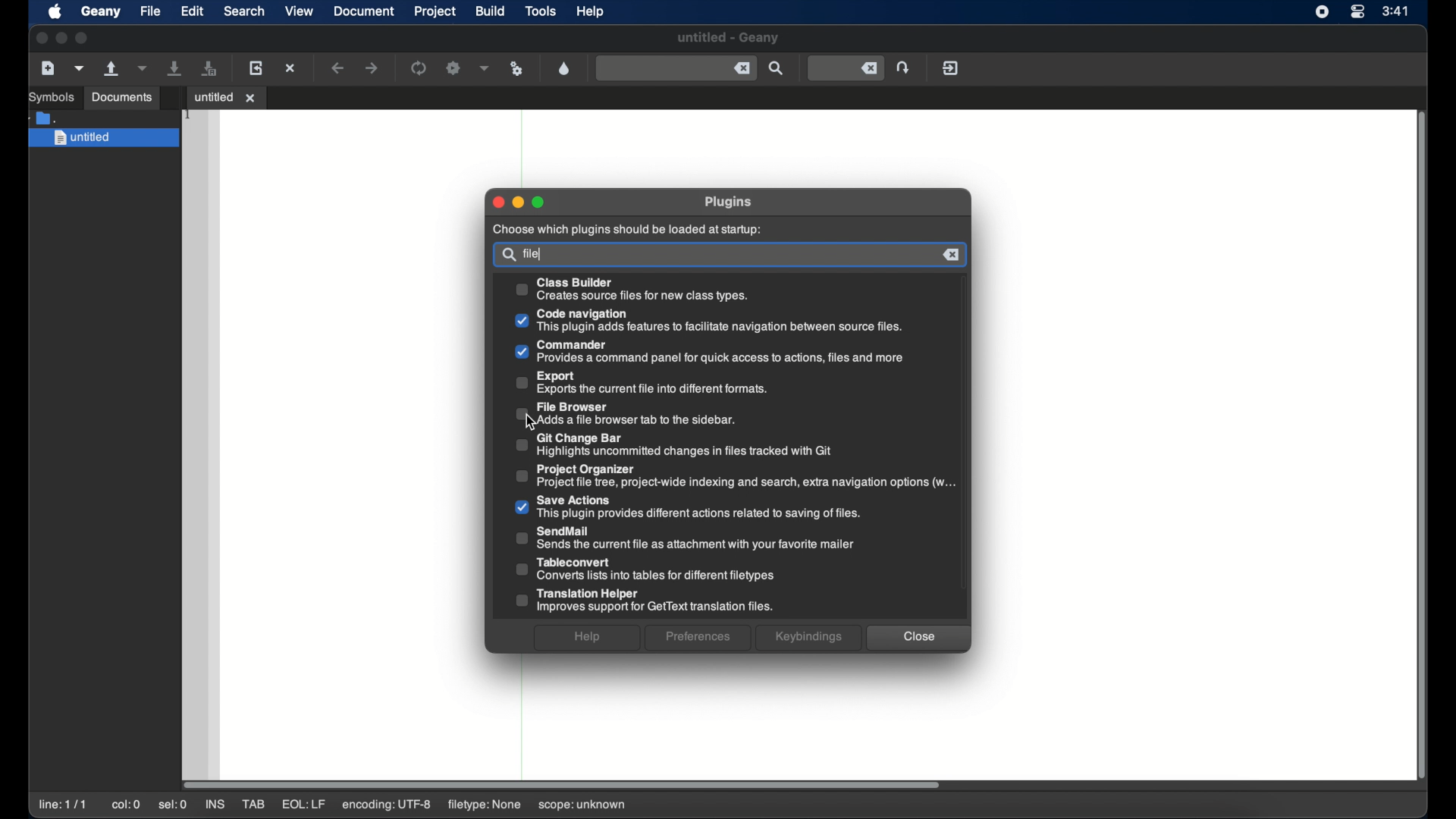 The image size is (1456, 819). Describe the element at coordinates (903, 67) in the screenshot. I see `jump to entered line number` at that location.